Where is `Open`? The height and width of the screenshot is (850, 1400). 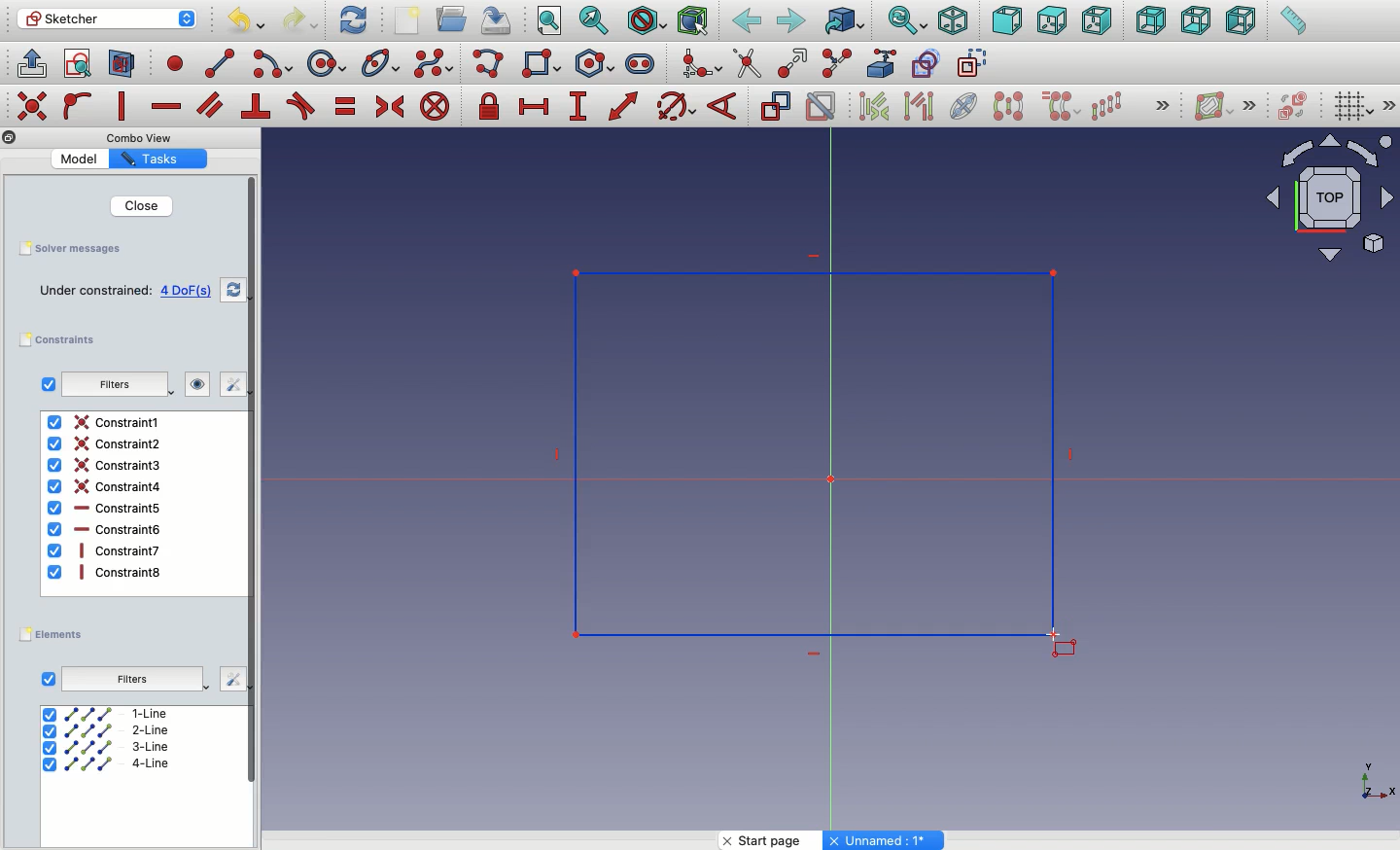
Open is located at coordinates (454, 19).